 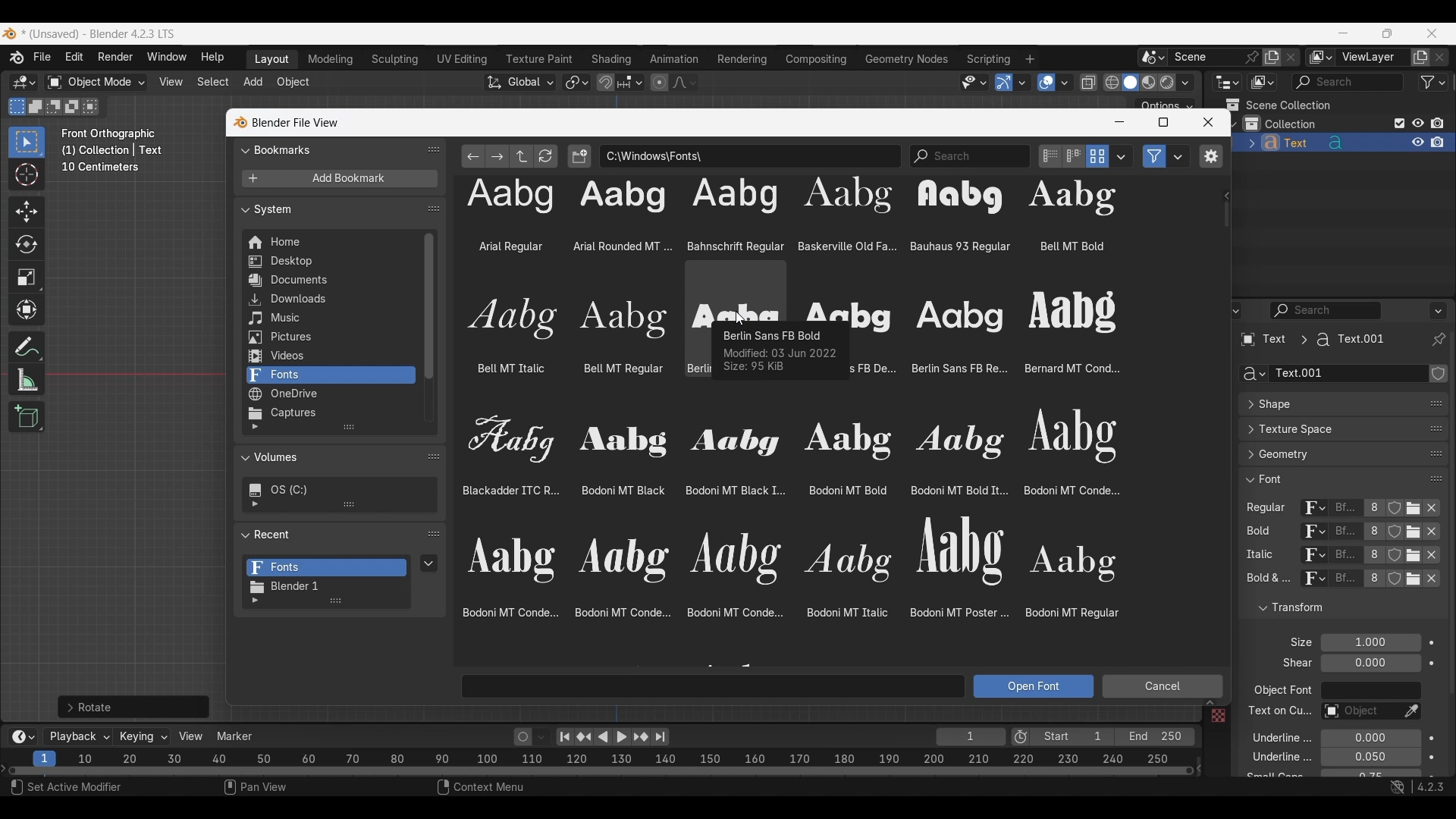 I want to click on Proportional editing objects, so click(x=659, y=82).